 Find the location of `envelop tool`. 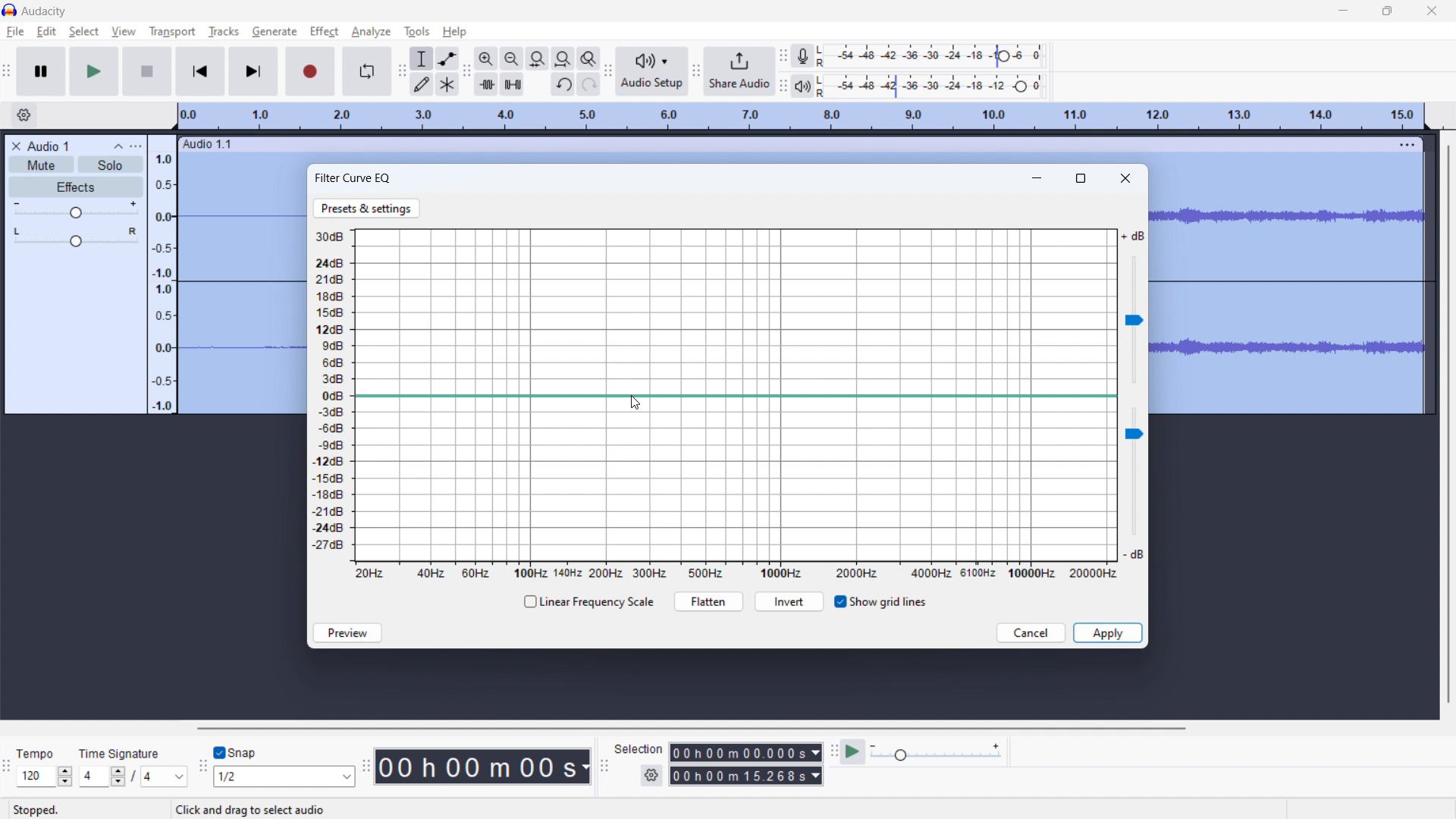

envelop tool is located at coordinates (447, 58).